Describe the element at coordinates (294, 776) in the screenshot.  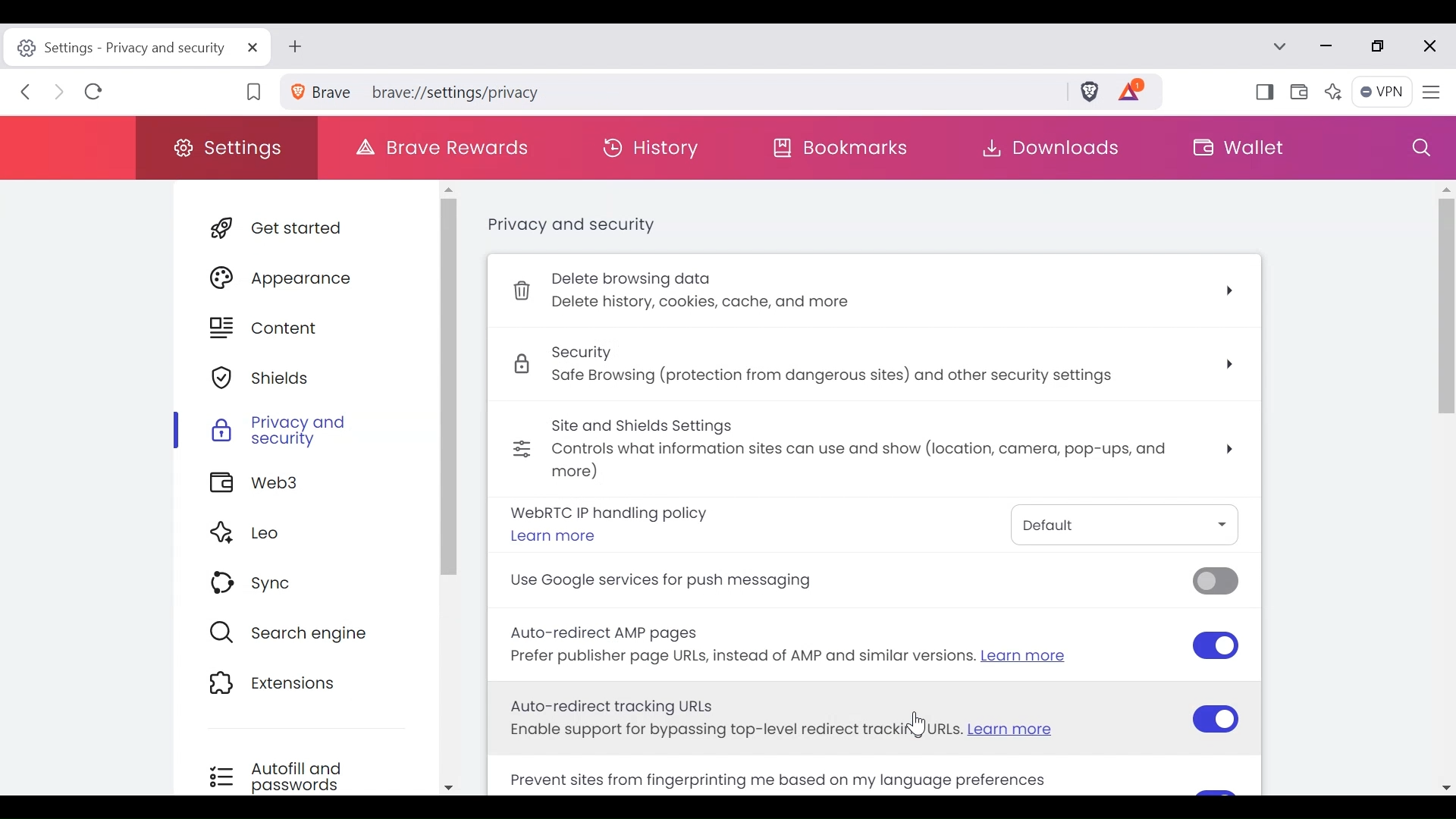
I see `Autofill and passwords` at that location.